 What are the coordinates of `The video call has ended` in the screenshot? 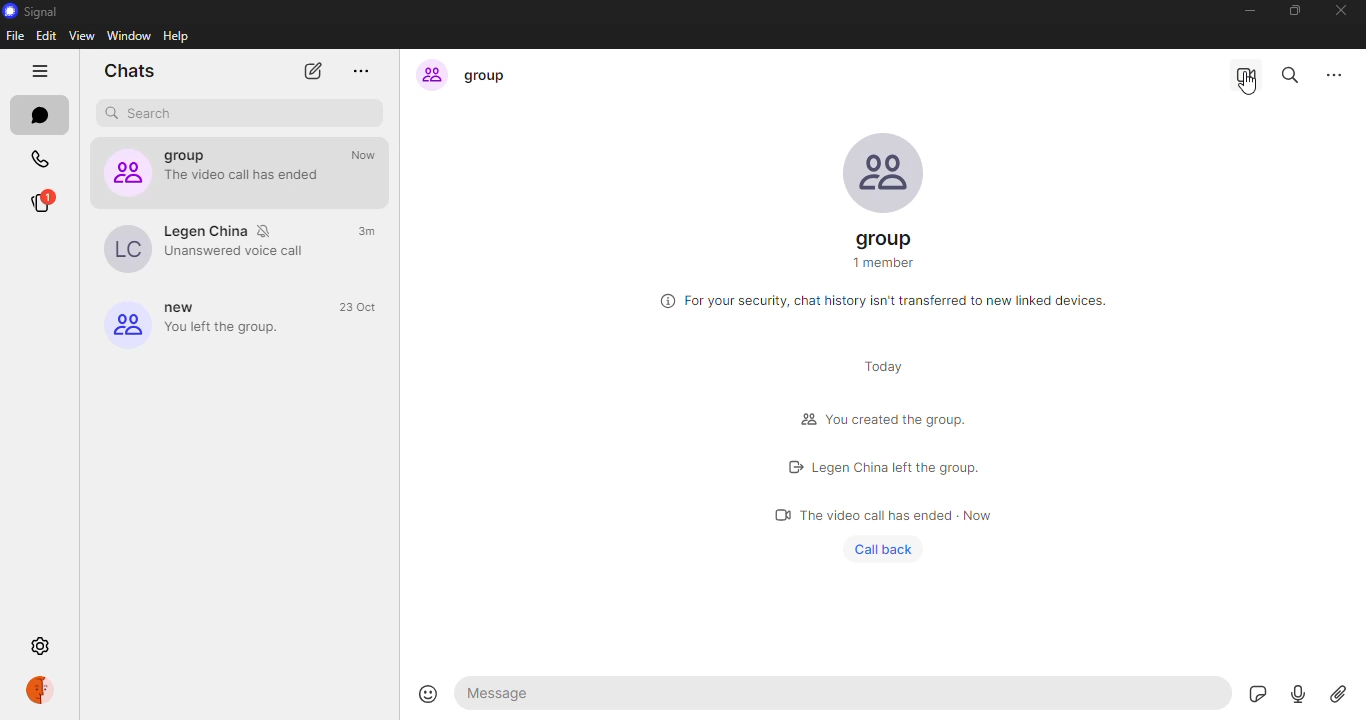 It's located at (249, 176).